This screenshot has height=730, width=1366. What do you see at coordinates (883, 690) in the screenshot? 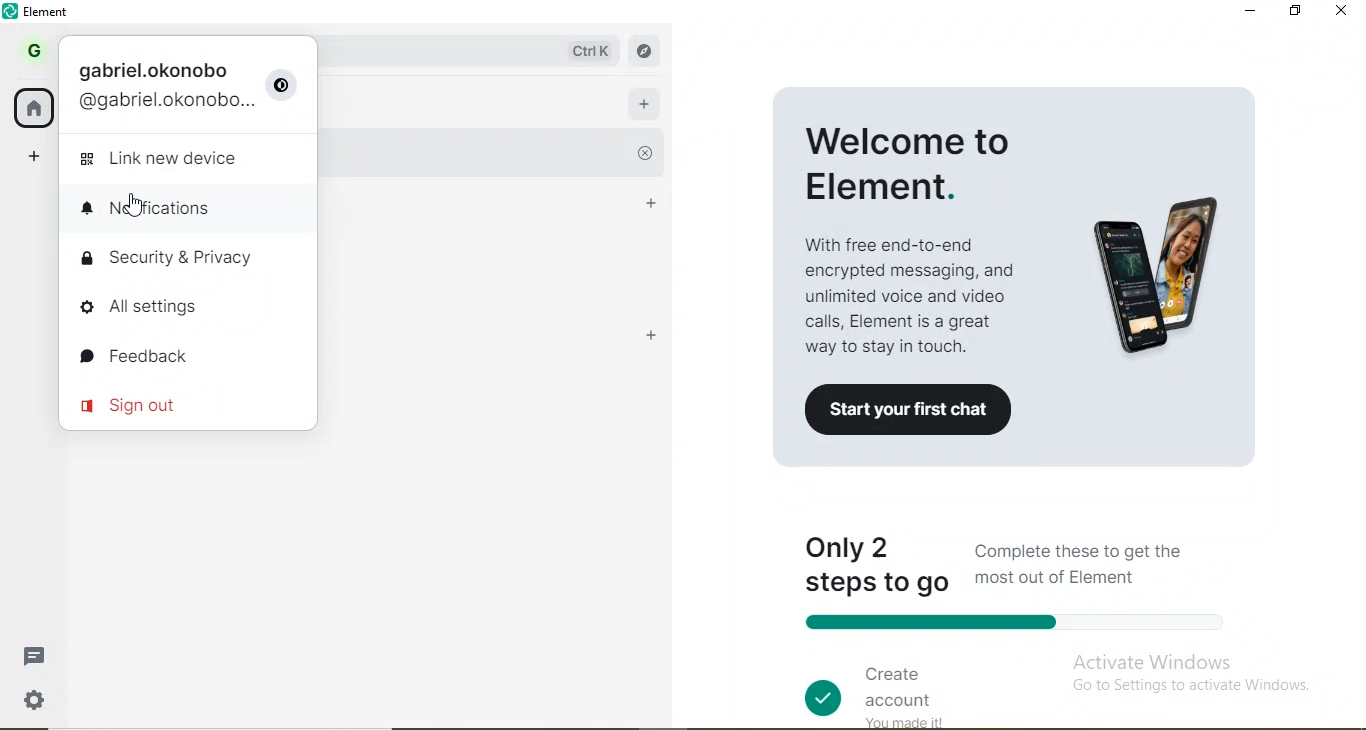
I see `create account` at bounding box center [883, 690].